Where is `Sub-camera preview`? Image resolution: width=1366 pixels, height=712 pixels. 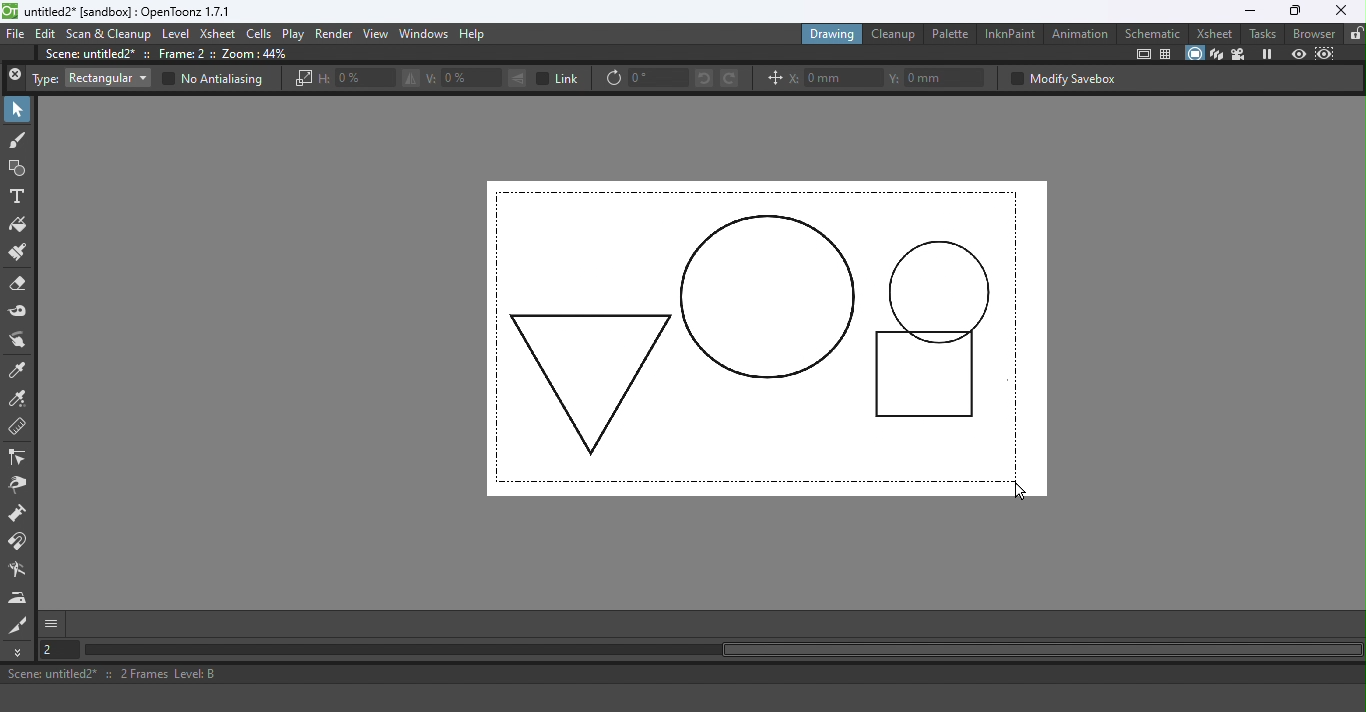
Sub-camera preview is located at coordinates (1325, 53).